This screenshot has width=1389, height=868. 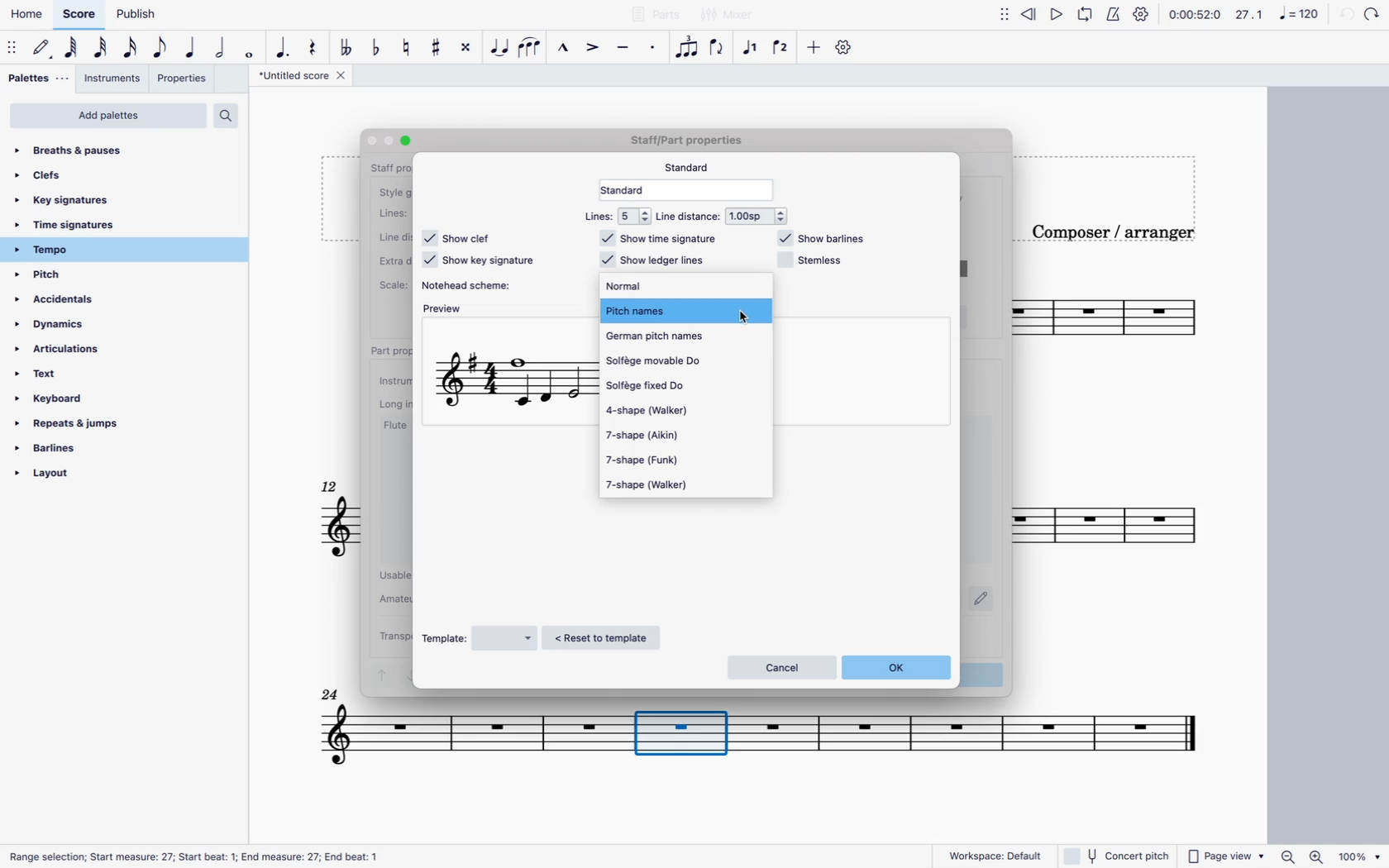 I want to click on , so click(x=389, y=139).